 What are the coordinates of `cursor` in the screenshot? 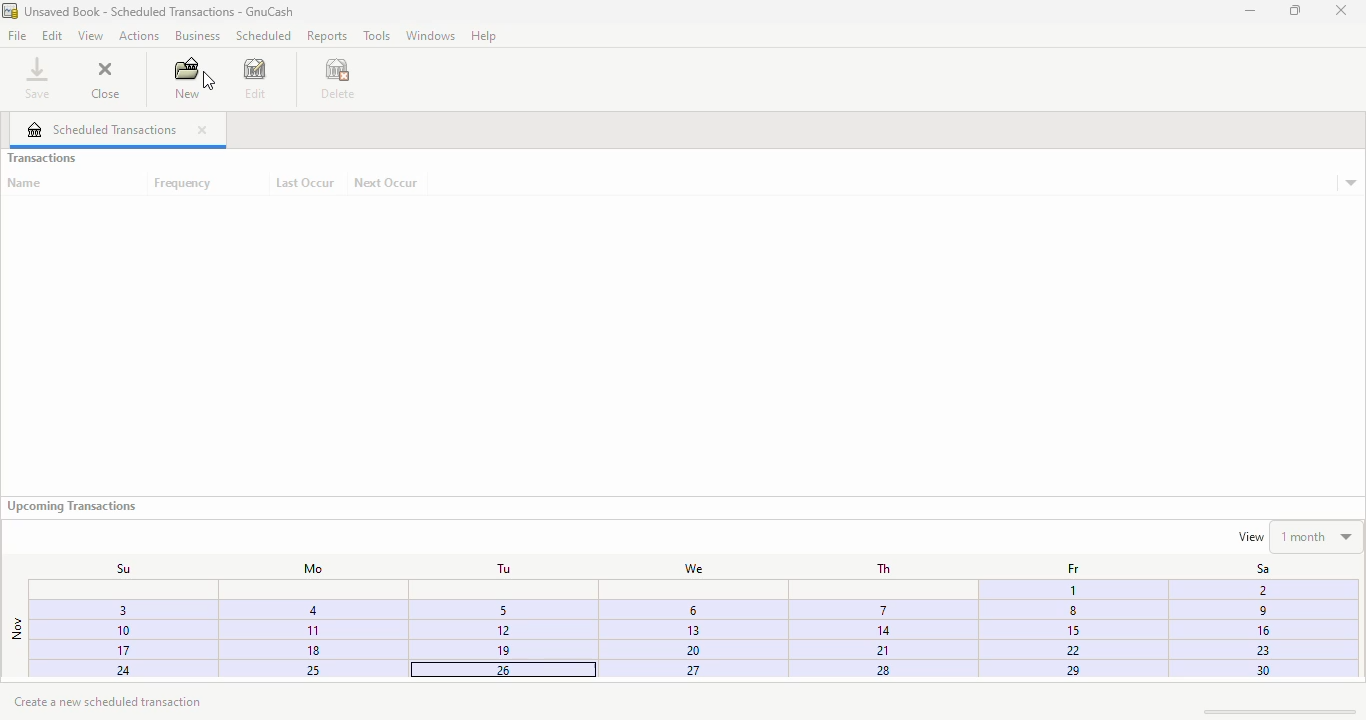 It's located at (209, 81).